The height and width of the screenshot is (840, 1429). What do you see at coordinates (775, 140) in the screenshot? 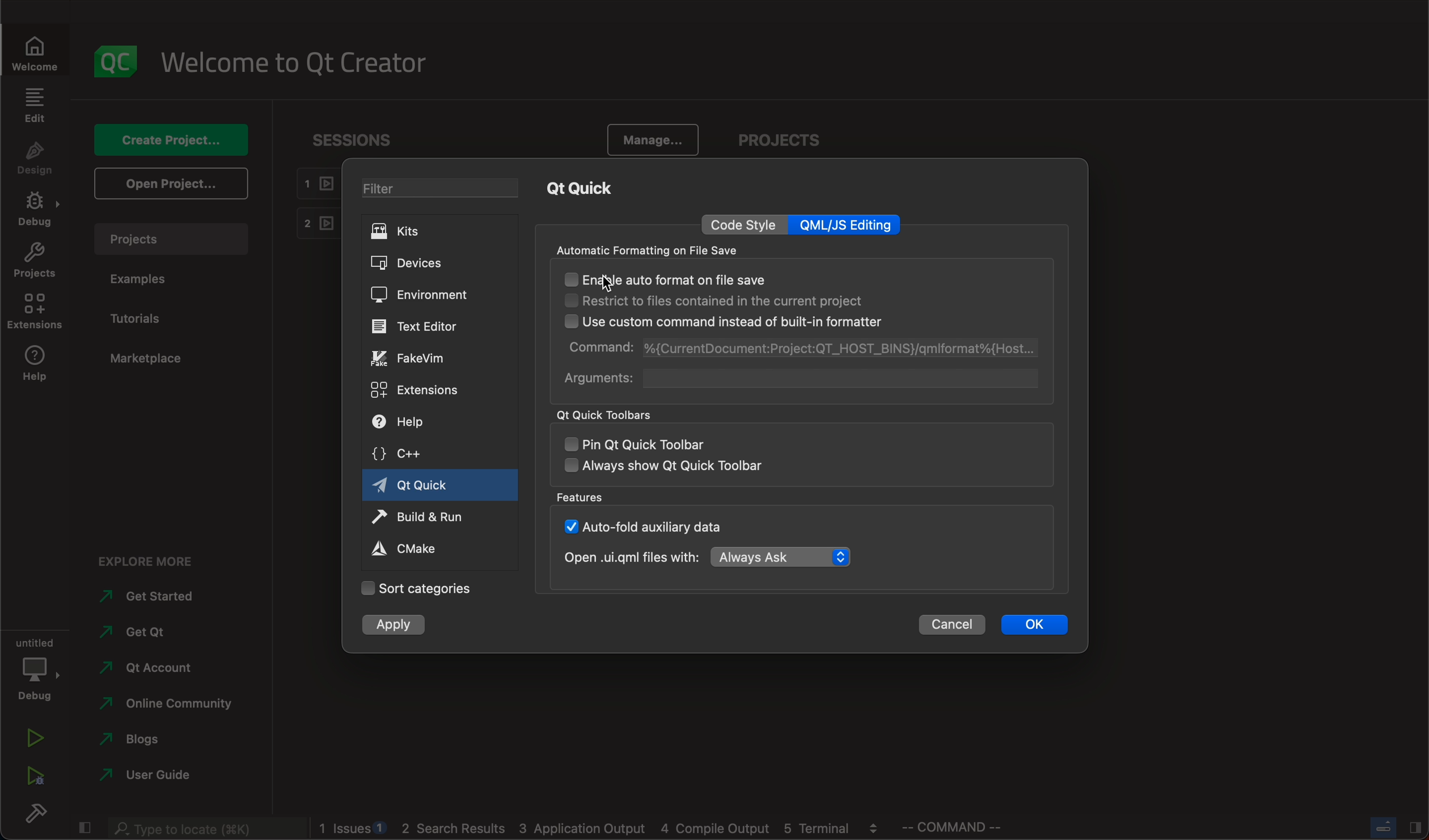
I see `projects` at bounding box center [775, 140].